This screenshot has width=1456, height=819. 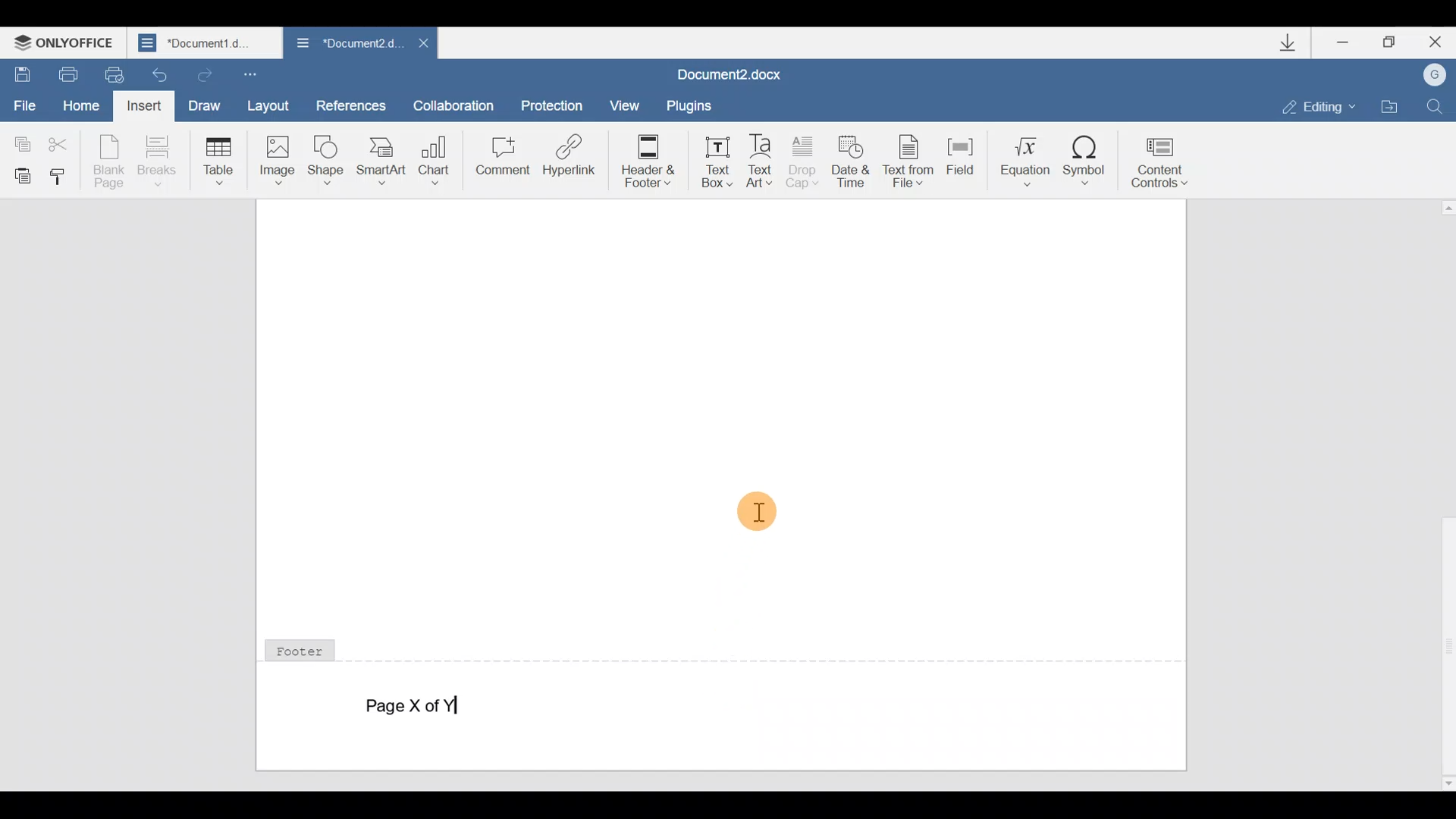 What do you see at coordinates (19, 140) in the screenshot?
I see `Copy` at bounding box center [19, 140].